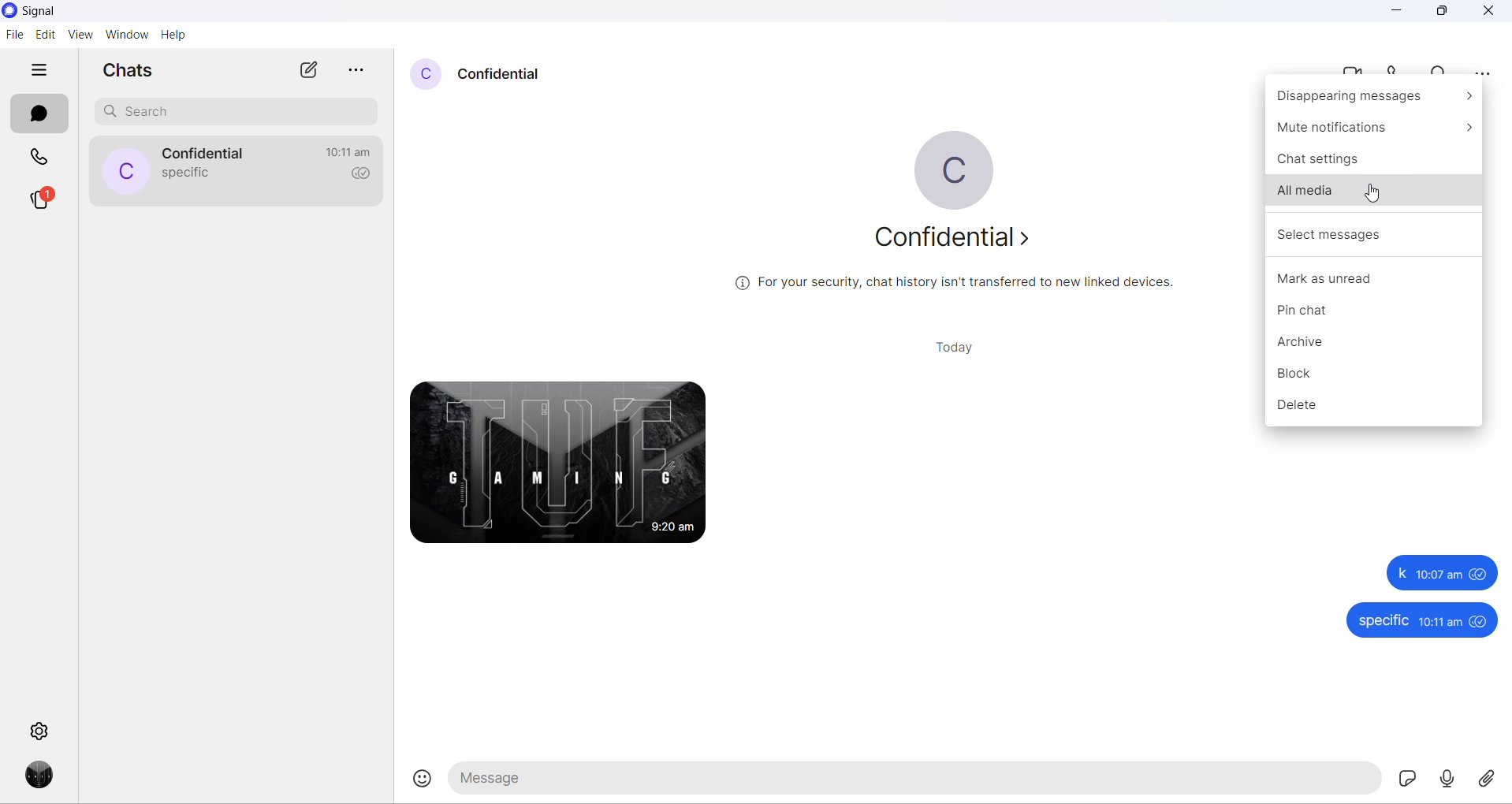 This screenshot has height=804, width=1512. What do you see at coordinates (42, 776) in the screenshot?
I see `profile` at bounding box center [42, 776].